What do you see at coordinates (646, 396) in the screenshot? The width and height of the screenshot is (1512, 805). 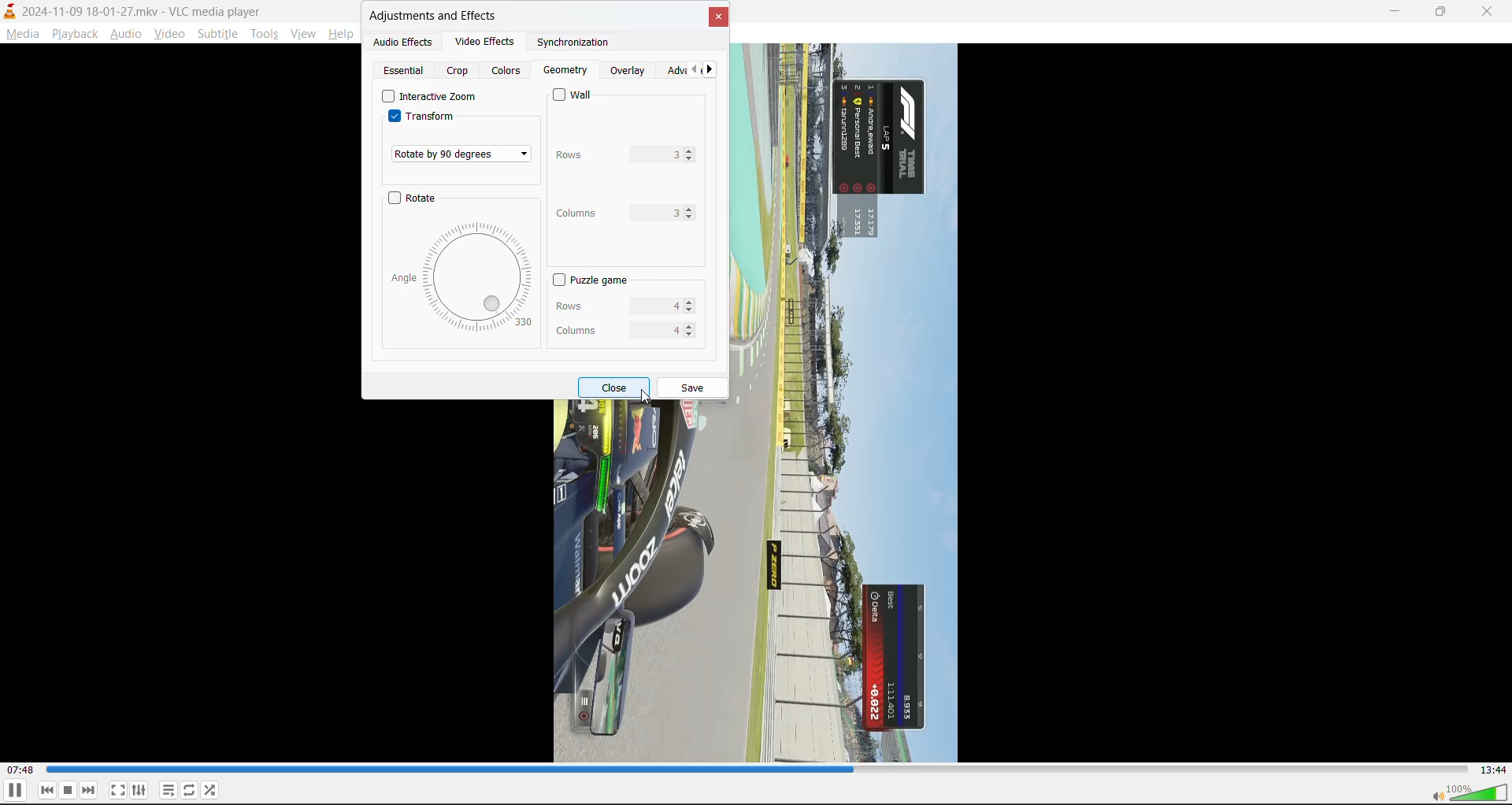 I see `cursor` at bounding box center [646, 396].